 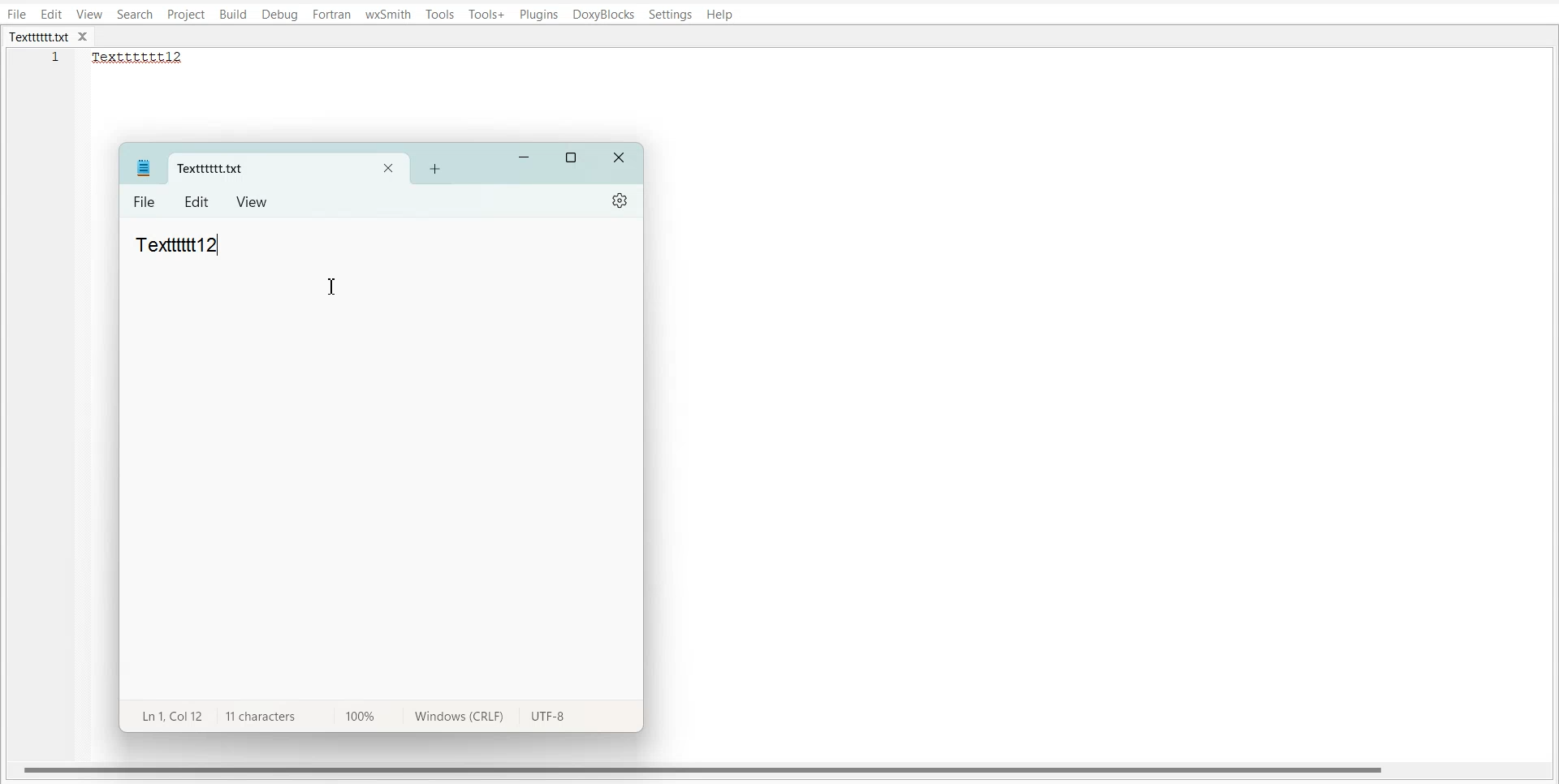 What do you see at coordinates (51, 14) in the screenshot?
I see `Edit` at bounding box center [51, 14].